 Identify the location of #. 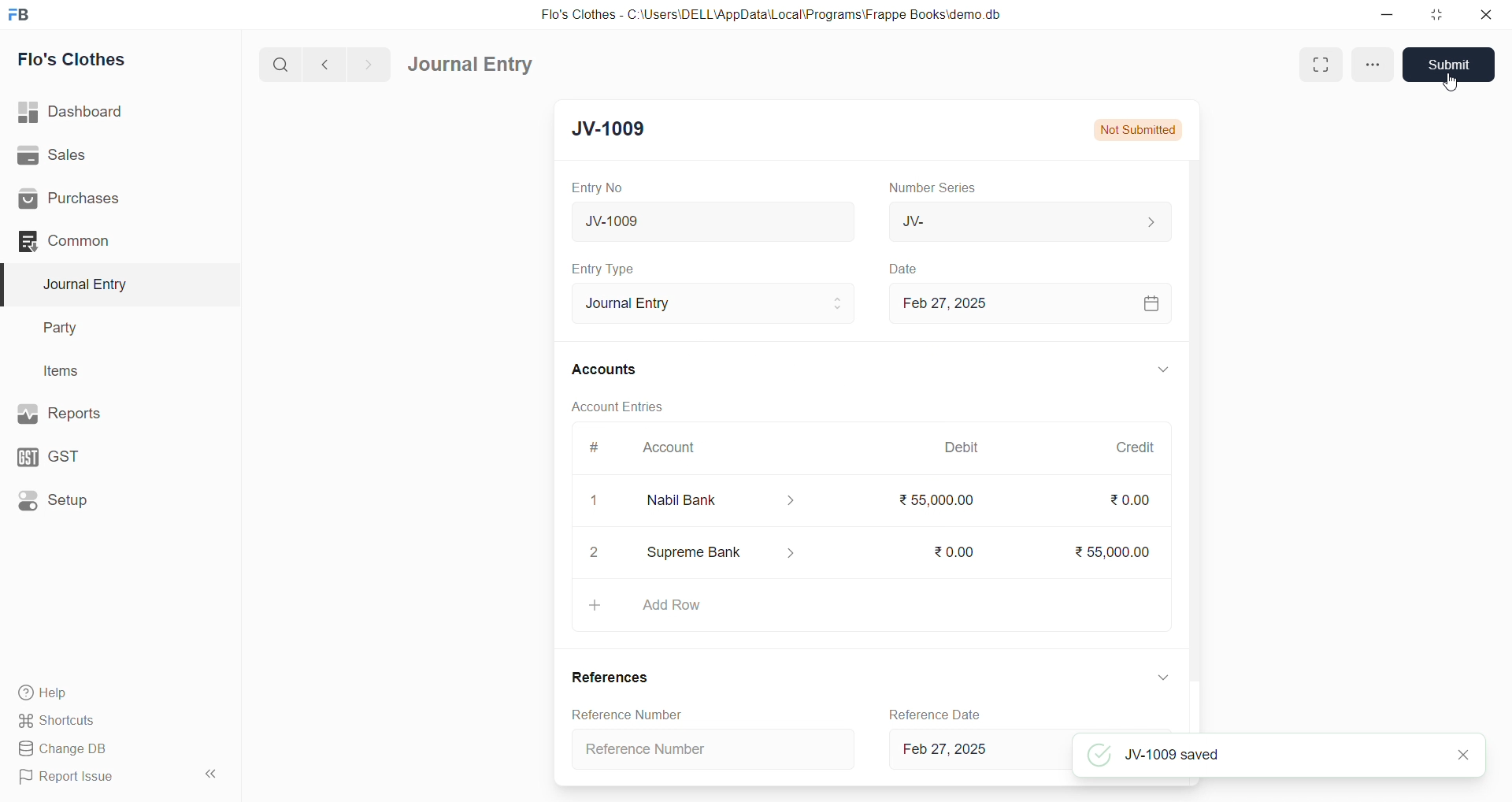
(594, 447).